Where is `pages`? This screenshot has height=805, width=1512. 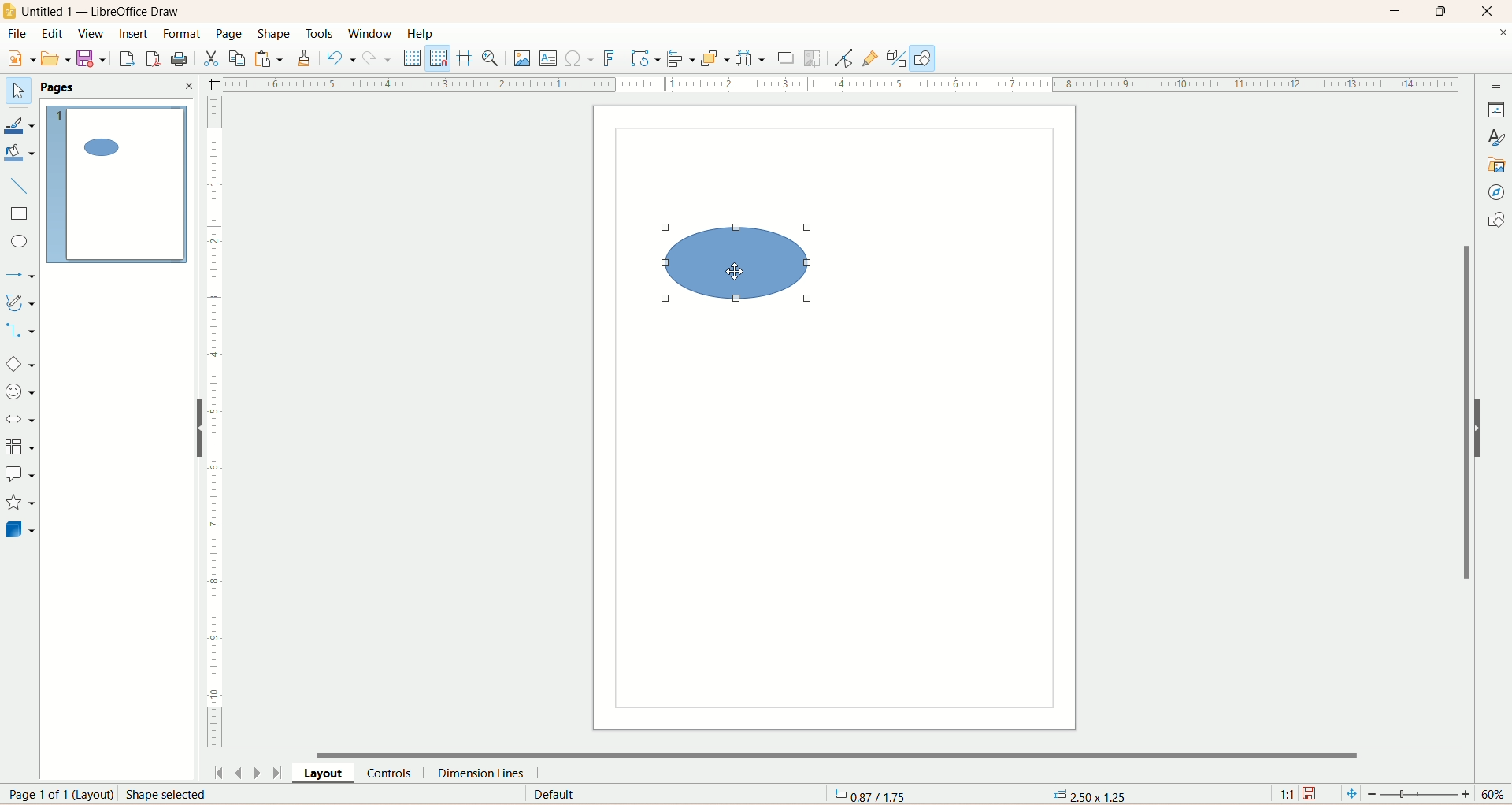
pages is located at coordinates (61, 87).